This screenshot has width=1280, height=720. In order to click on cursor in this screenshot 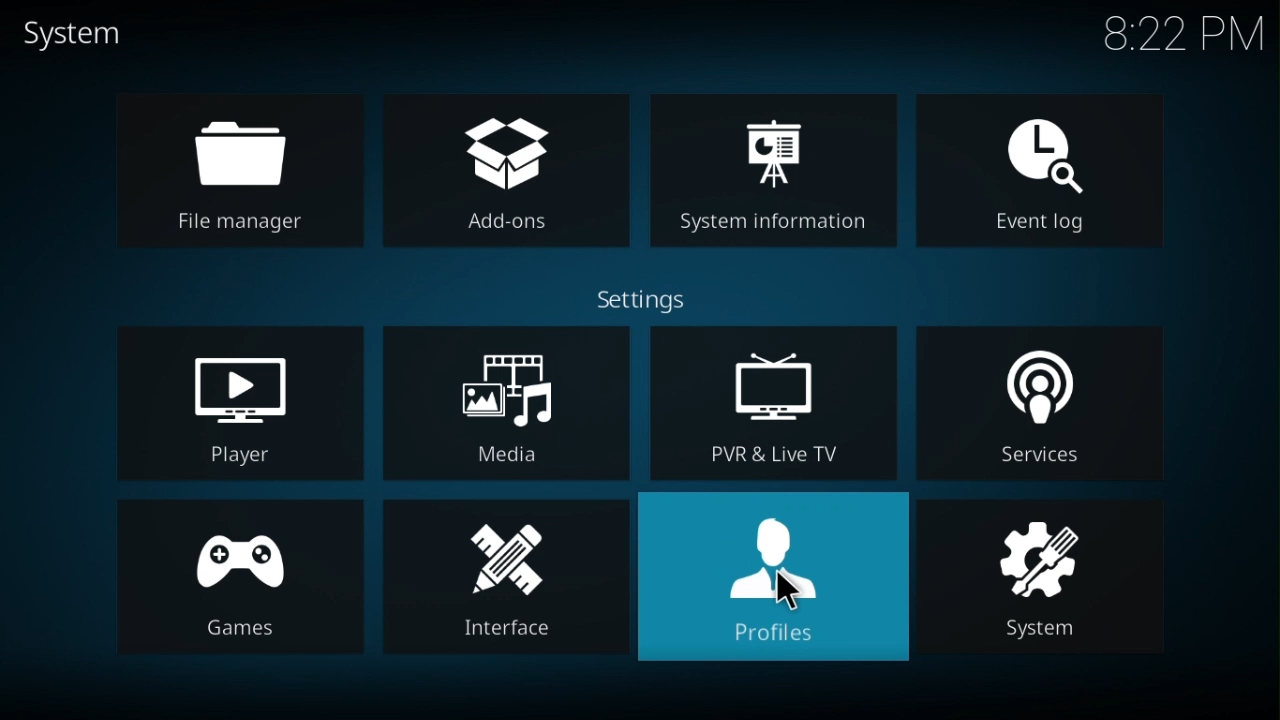, I will do `click(791, 593)`.